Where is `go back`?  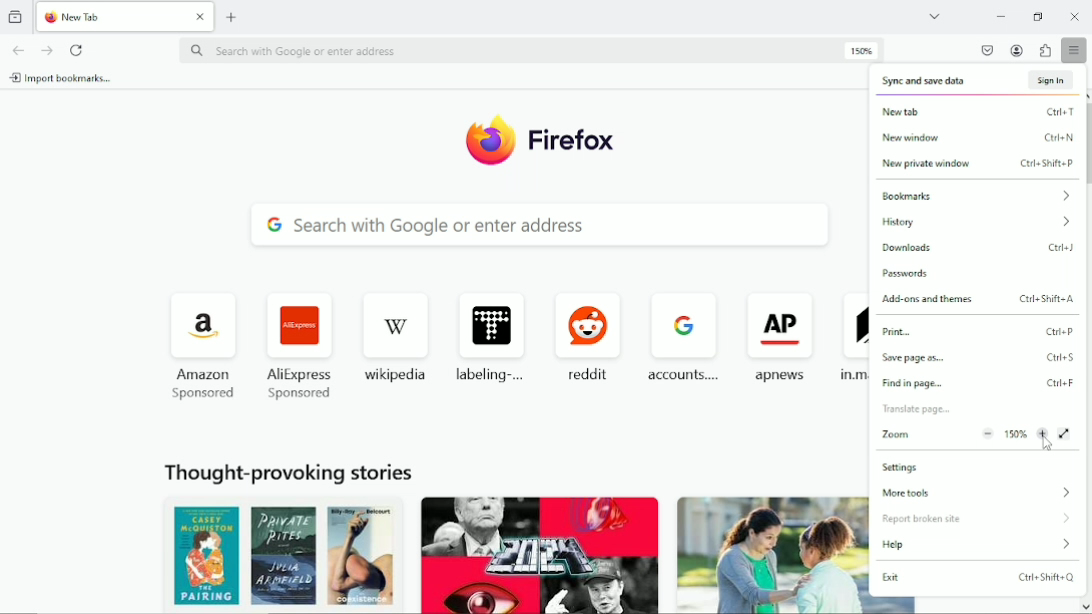 go back is located at coordinates (17, 50).